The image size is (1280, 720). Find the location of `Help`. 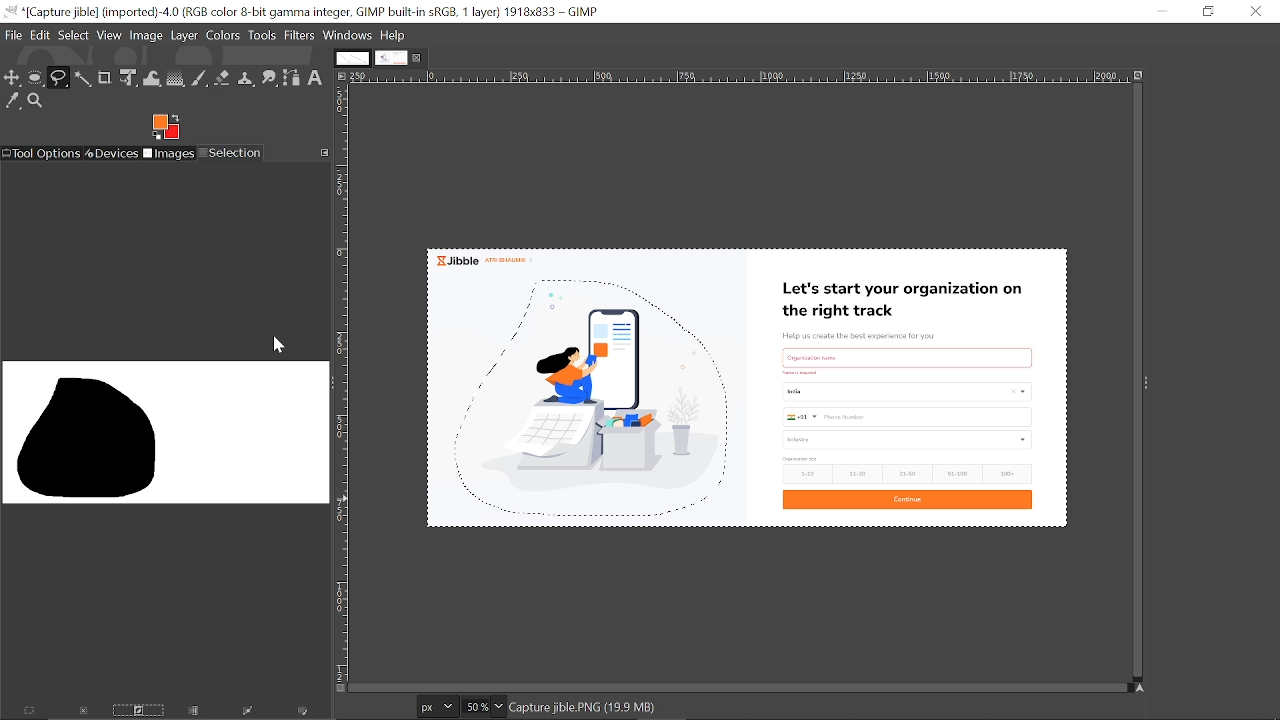

Help is located at coordinates (393, 35).